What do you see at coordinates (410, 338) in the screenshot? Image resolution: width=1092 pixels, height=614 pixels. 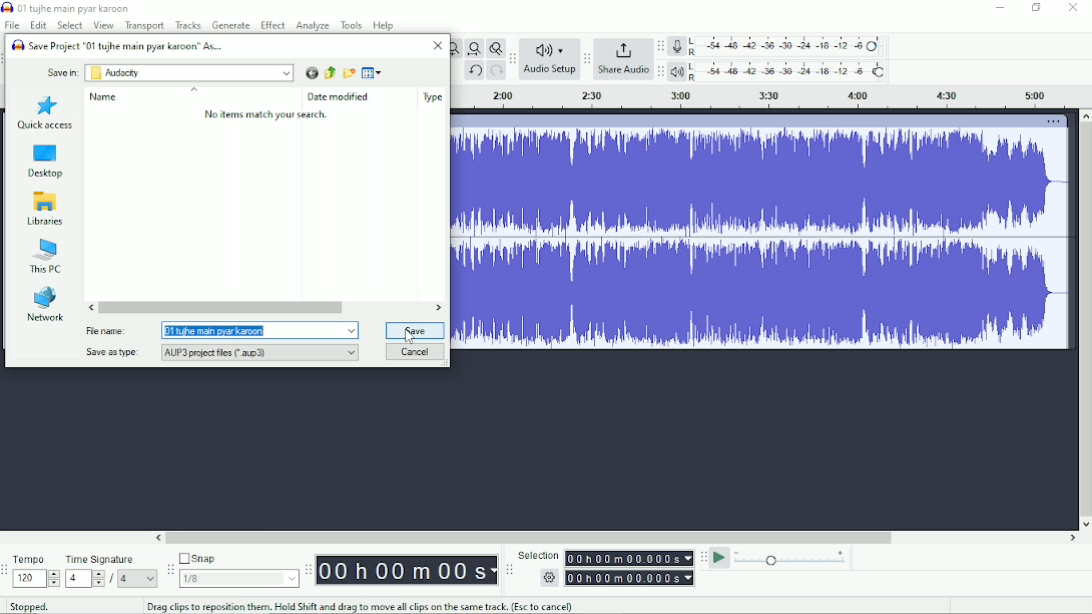 I see `Cursor` at bounding box center [410, 338].